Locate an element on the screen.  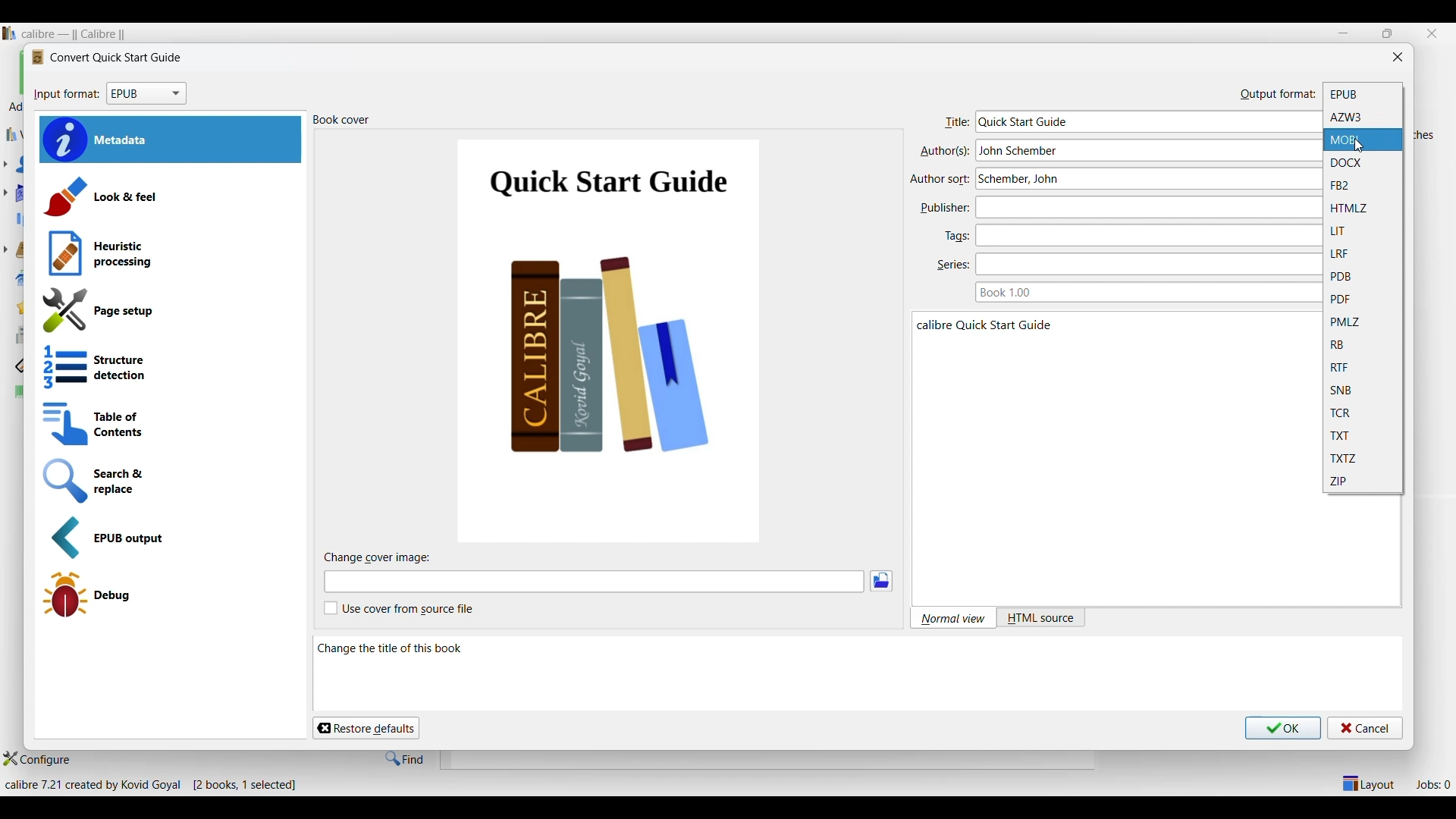
PDB is located at coordinates (1363, 277).